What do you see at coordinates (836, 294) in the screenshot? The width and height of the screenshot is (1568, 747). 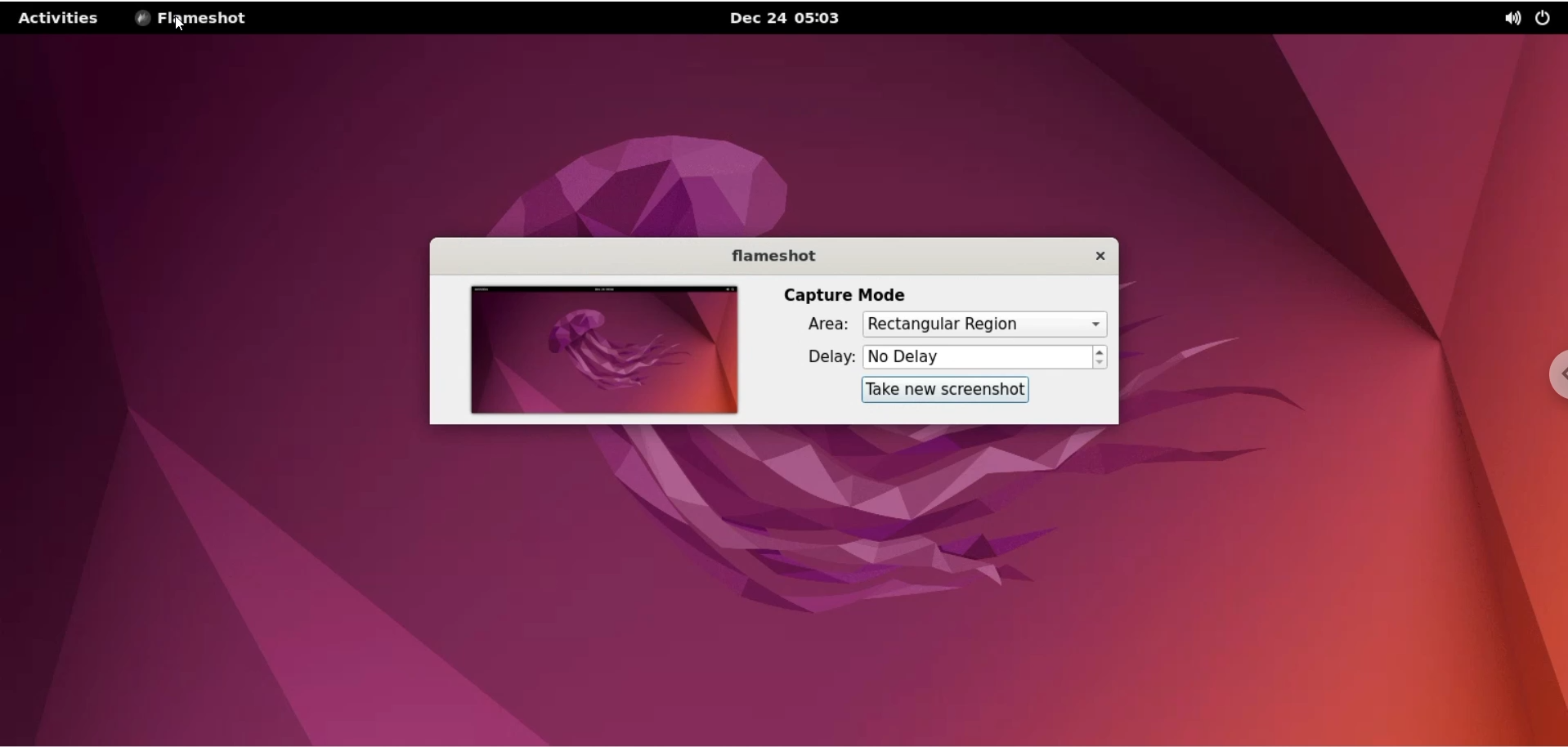 I see `capture mode ` at bounding box center [836, 294].